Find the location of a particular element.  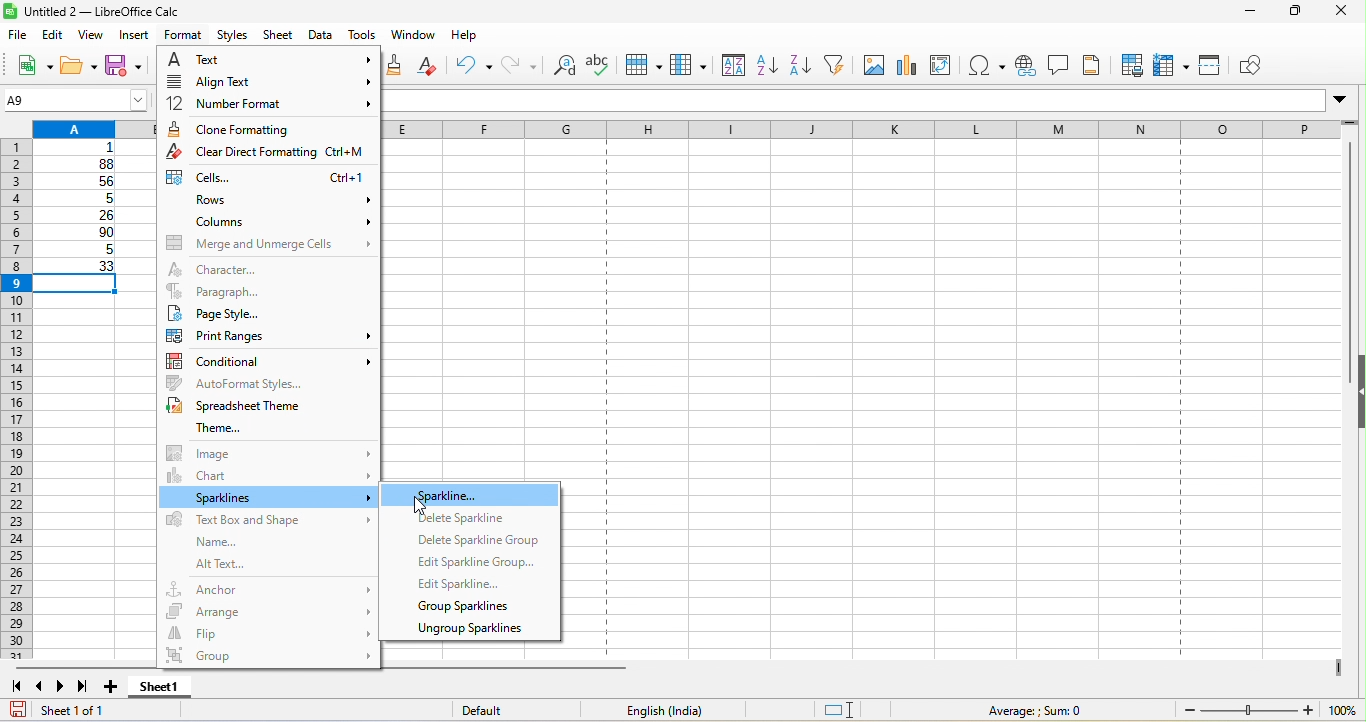

file is located at coordinates (16, 33).